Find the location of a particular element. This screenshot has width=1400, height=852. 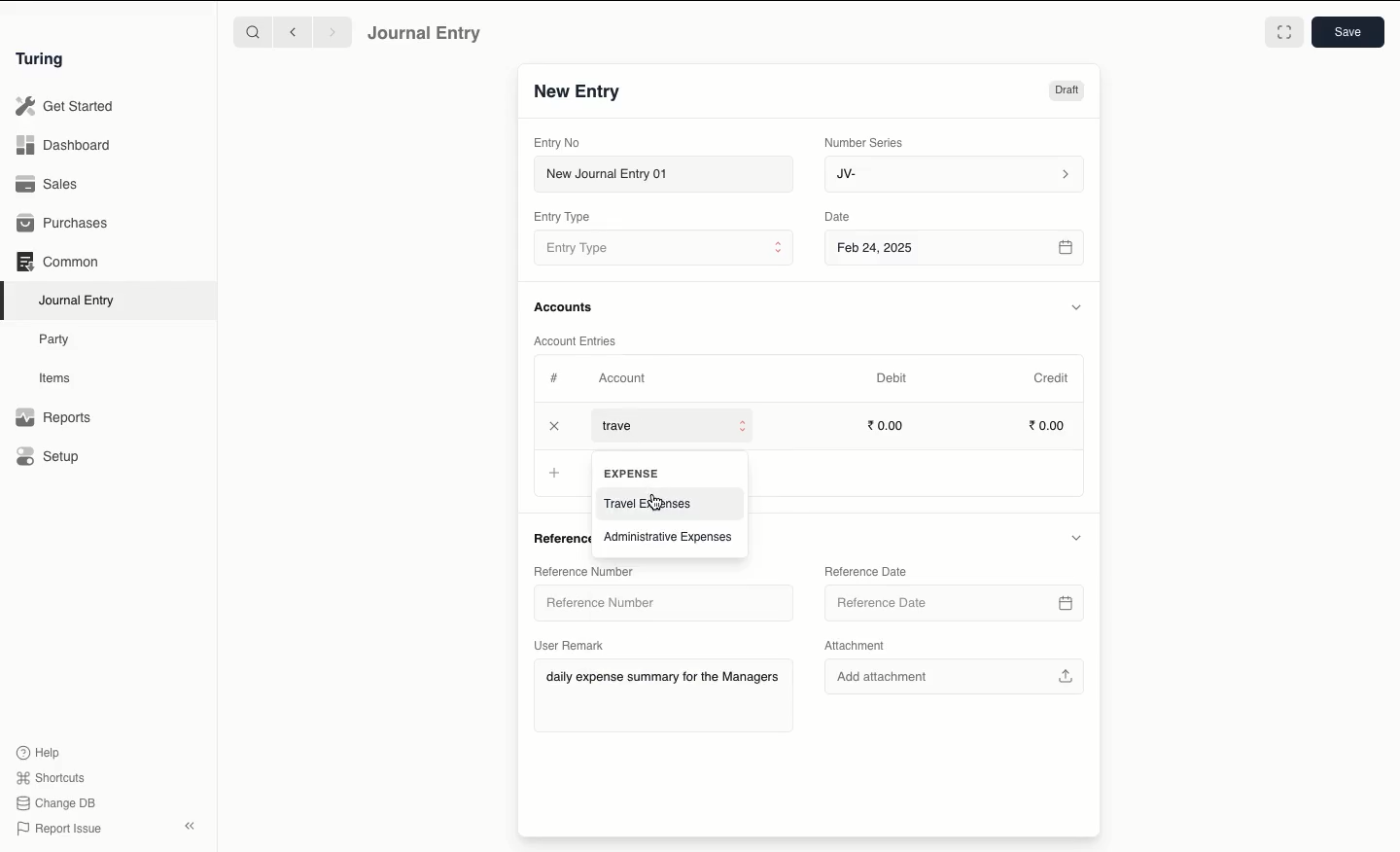

Change DB is located at coordinates (55, 803).